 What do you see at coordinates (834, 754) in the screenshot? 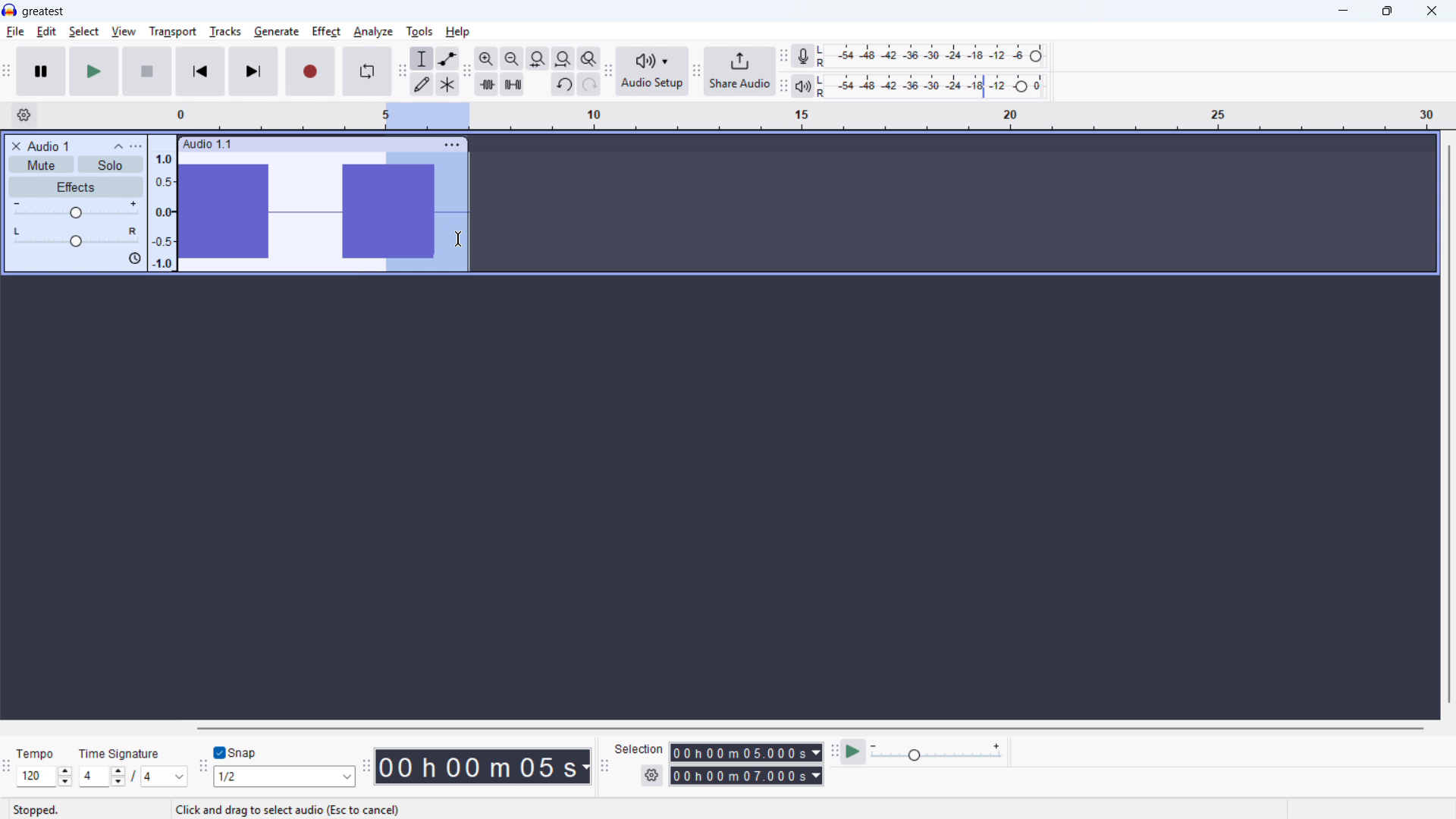
I see `Play at speed toolbar ` at bounding box center [834, 754].